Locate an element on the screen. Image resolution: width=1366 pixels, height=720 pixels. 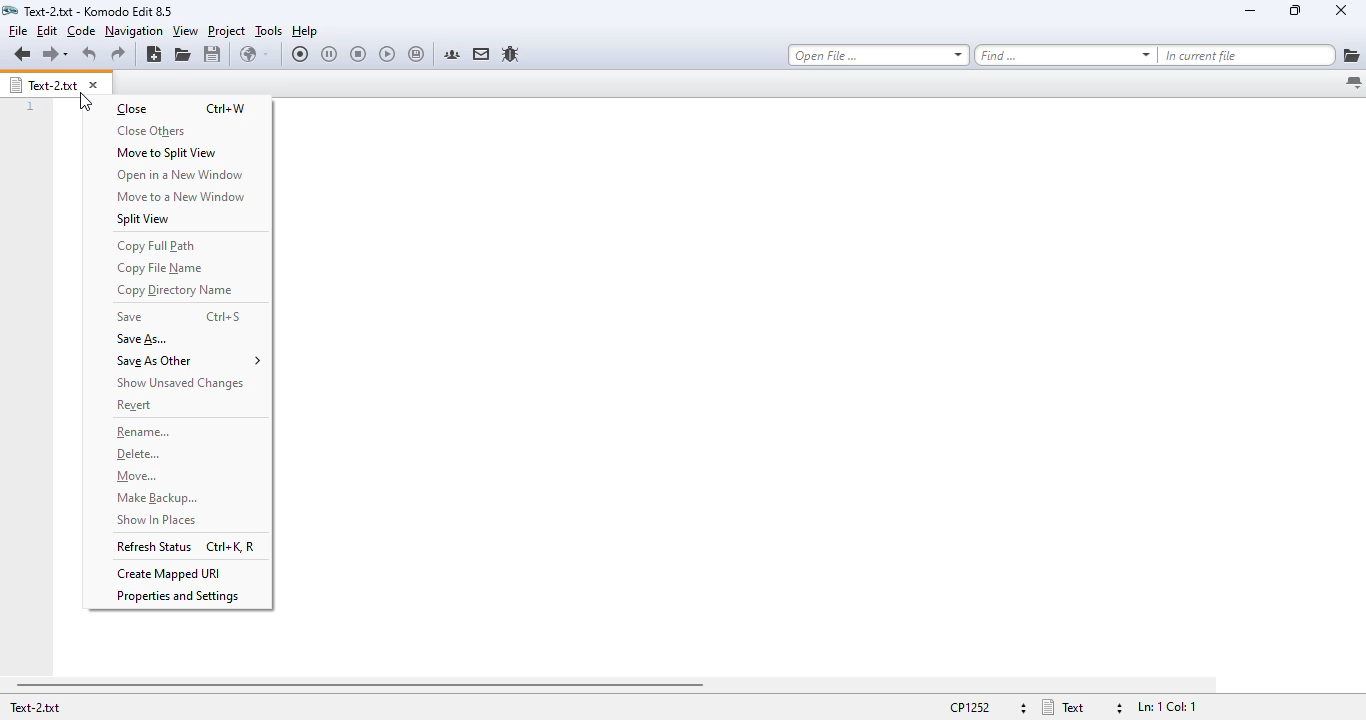
close is located at coordinates (1341, 9).